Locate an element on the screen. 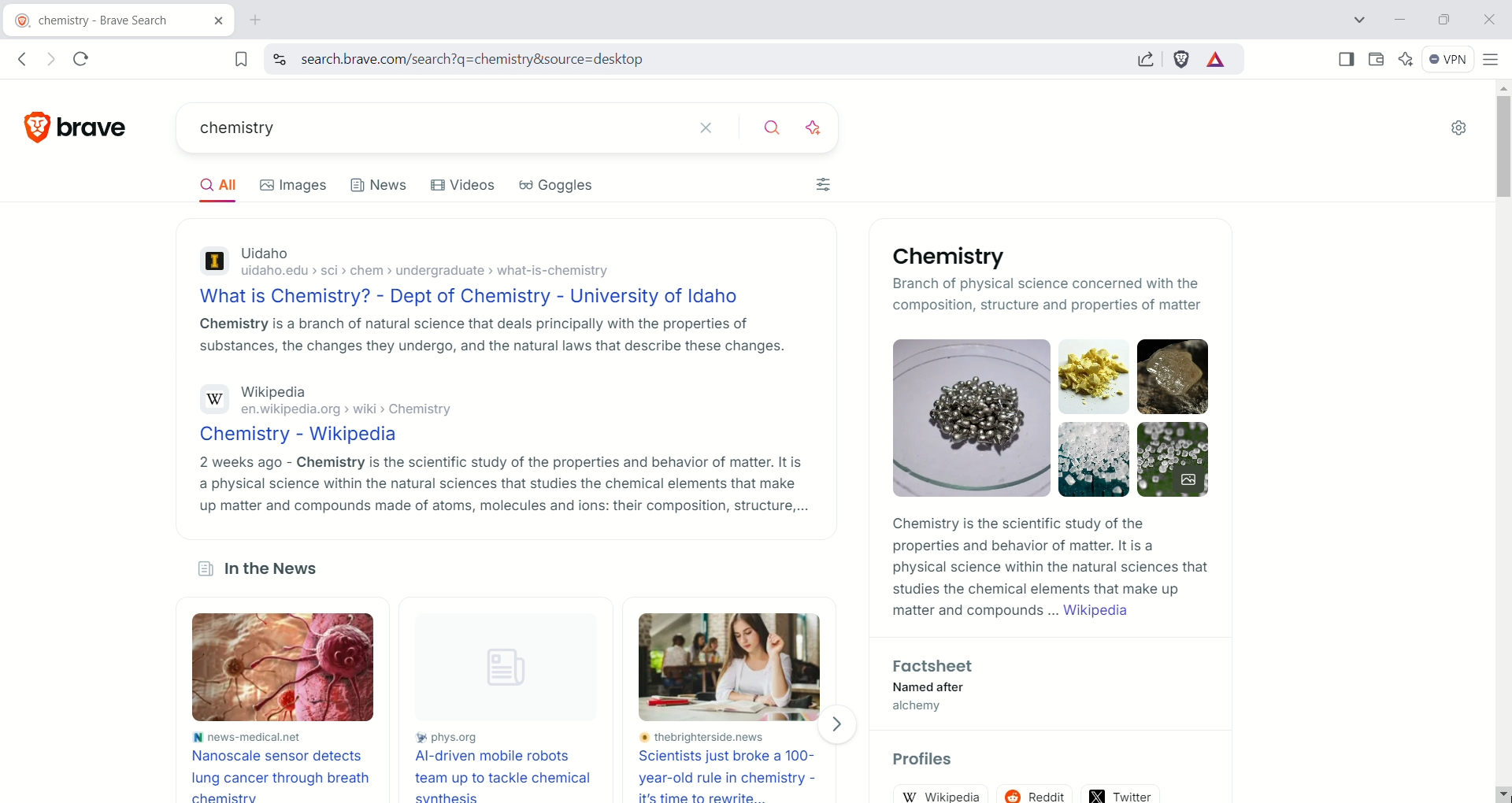  https://search.brave.com/search?q=chemistry&source=desktop is located at coordinates (498, 60).